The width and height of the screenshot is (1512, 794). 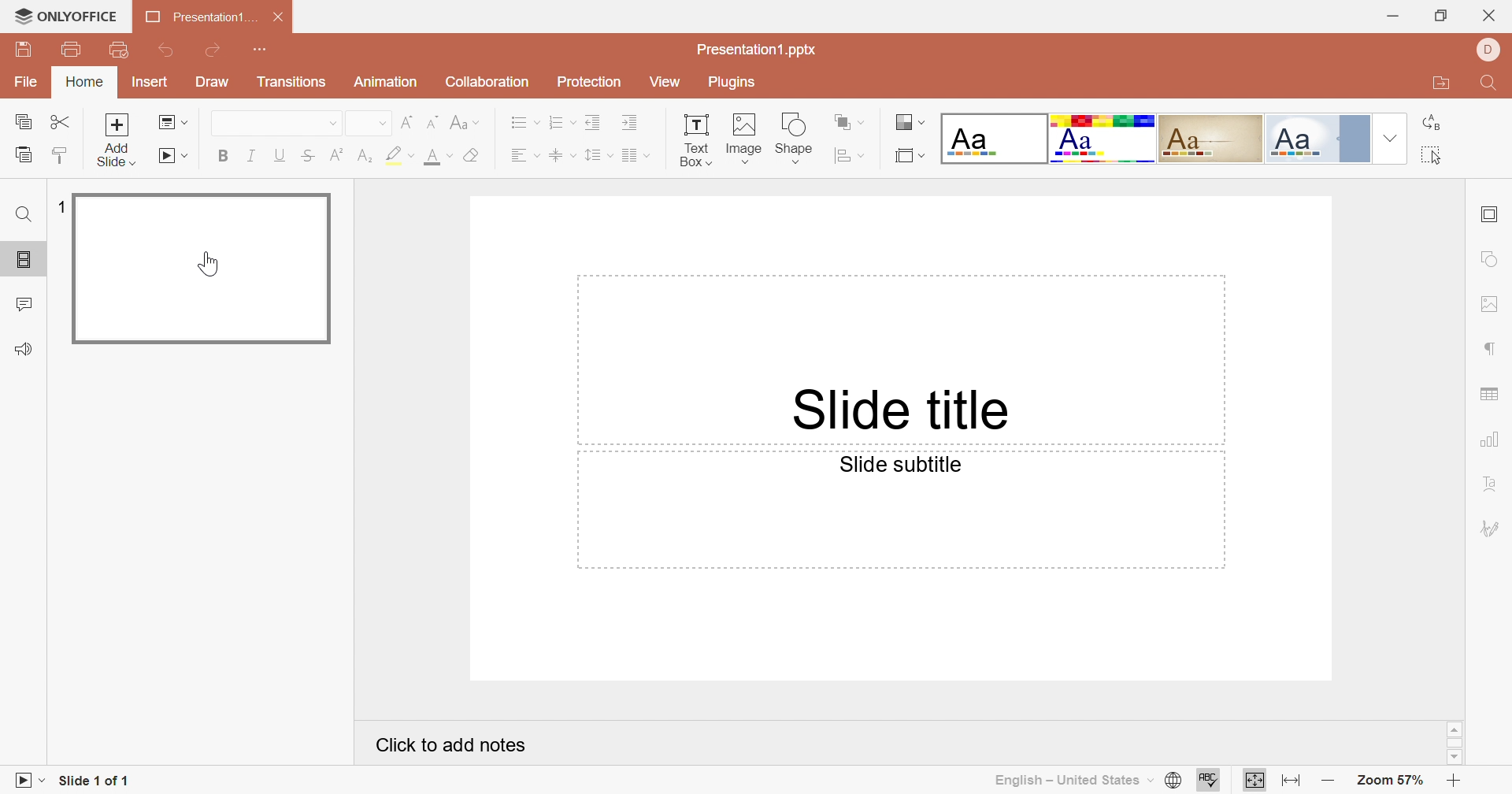 What do you see at coordinates (1329, 777) in the screenshot?
I see `Zoom out` at bounding box center [1329, 777].